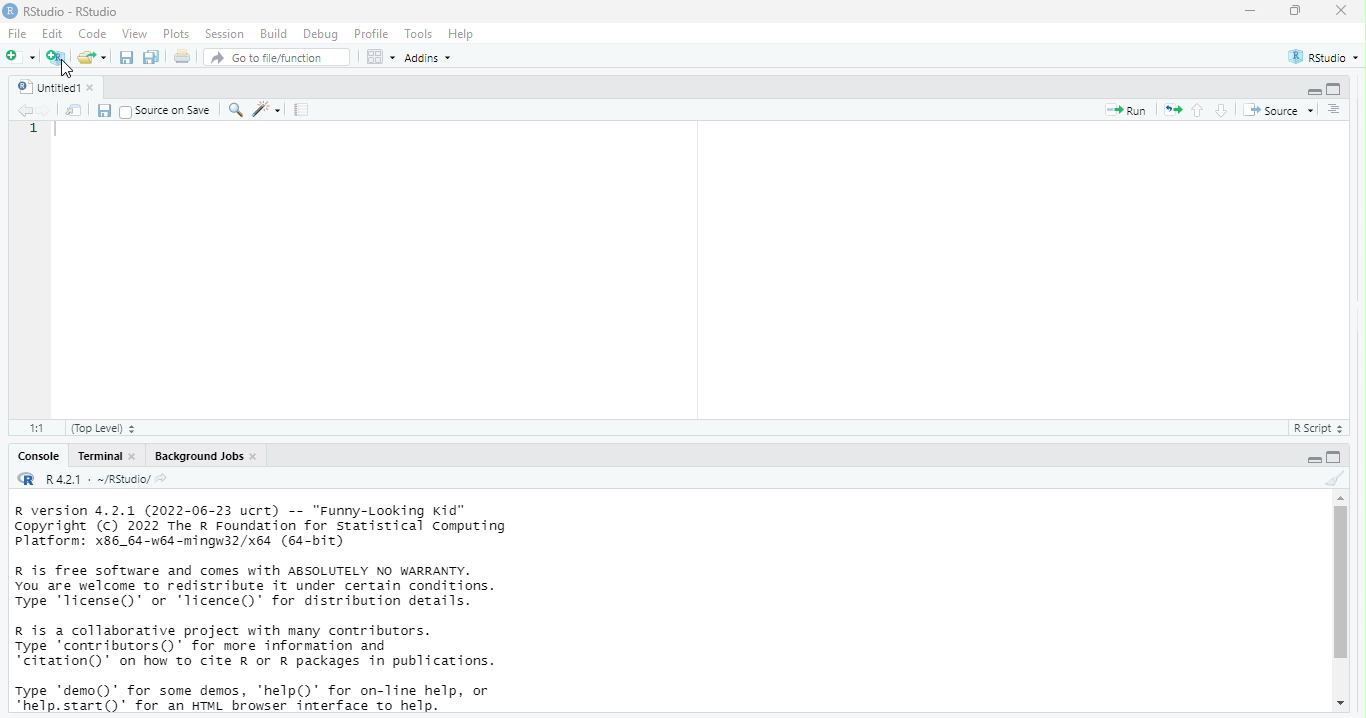  Describe the element at coordinates (41, 85) in the screenshot. I see `untitled` at that location.